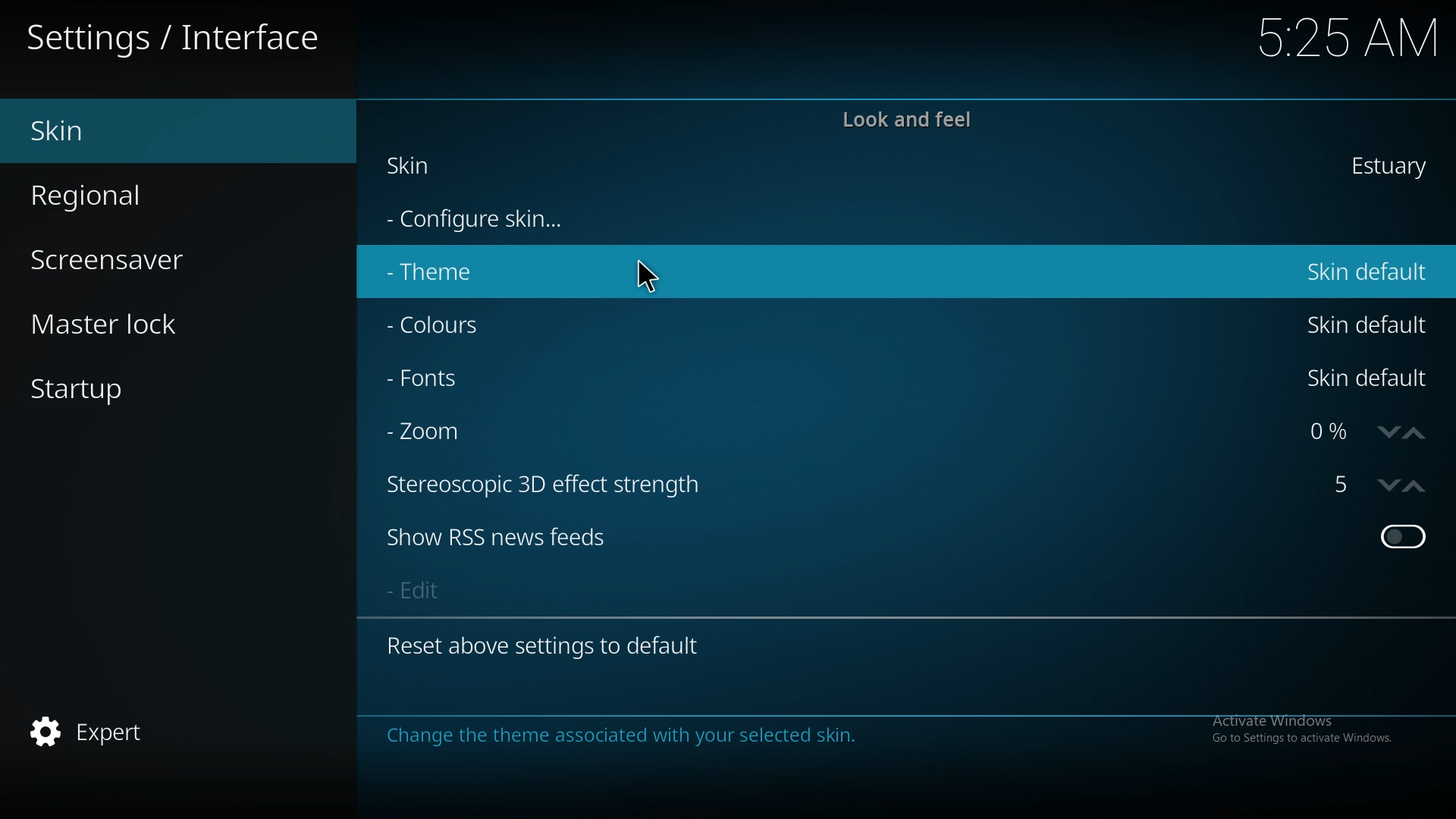 The width and height of the screenshot is (1456, 819). What do you see at coordinates (1403, 539) in the screenshot?
I see `toggle on/off` at bounding box center [1403, 539].